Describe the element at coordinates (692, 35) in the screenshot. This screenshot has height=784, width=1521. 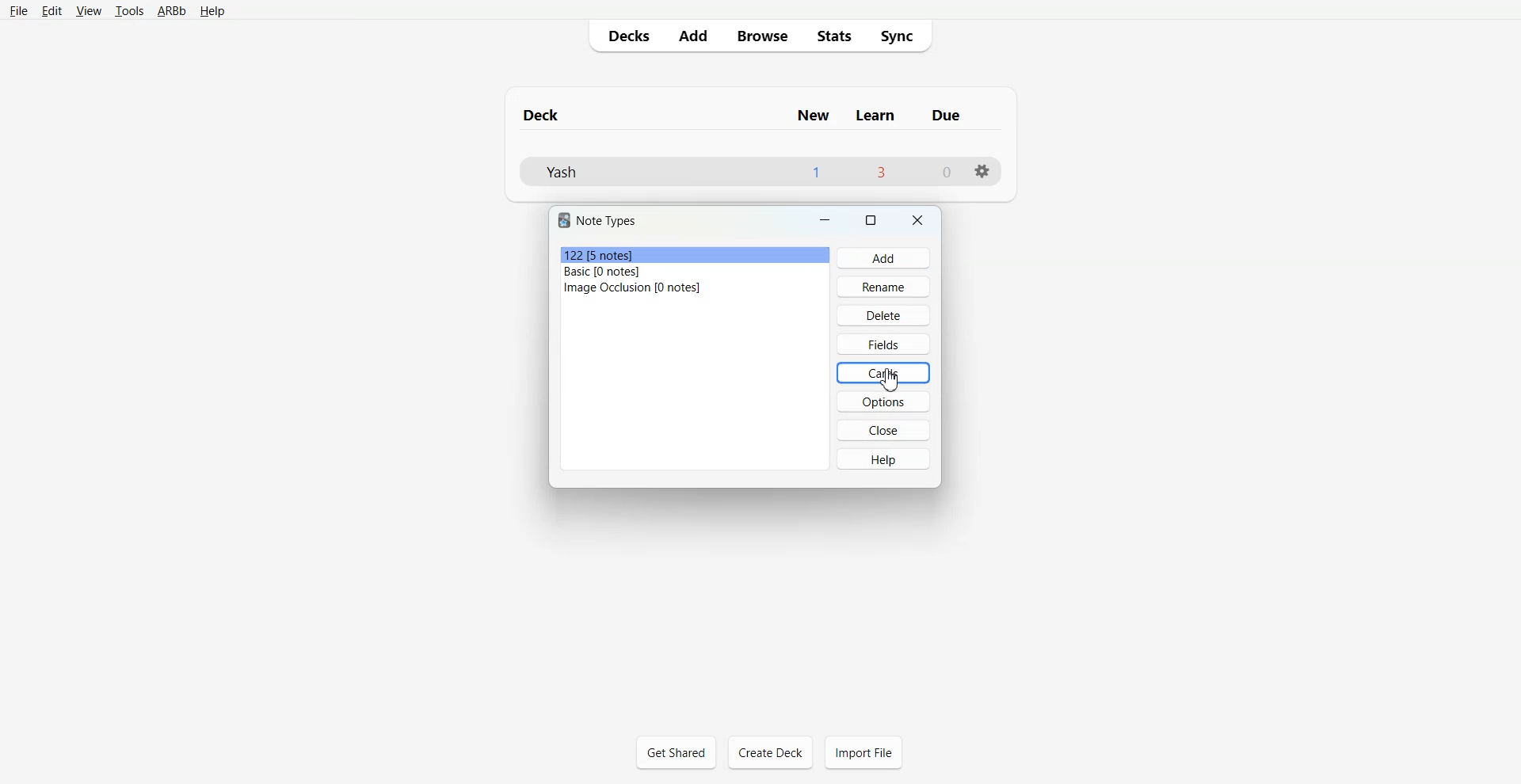
I see `Add` at that location.